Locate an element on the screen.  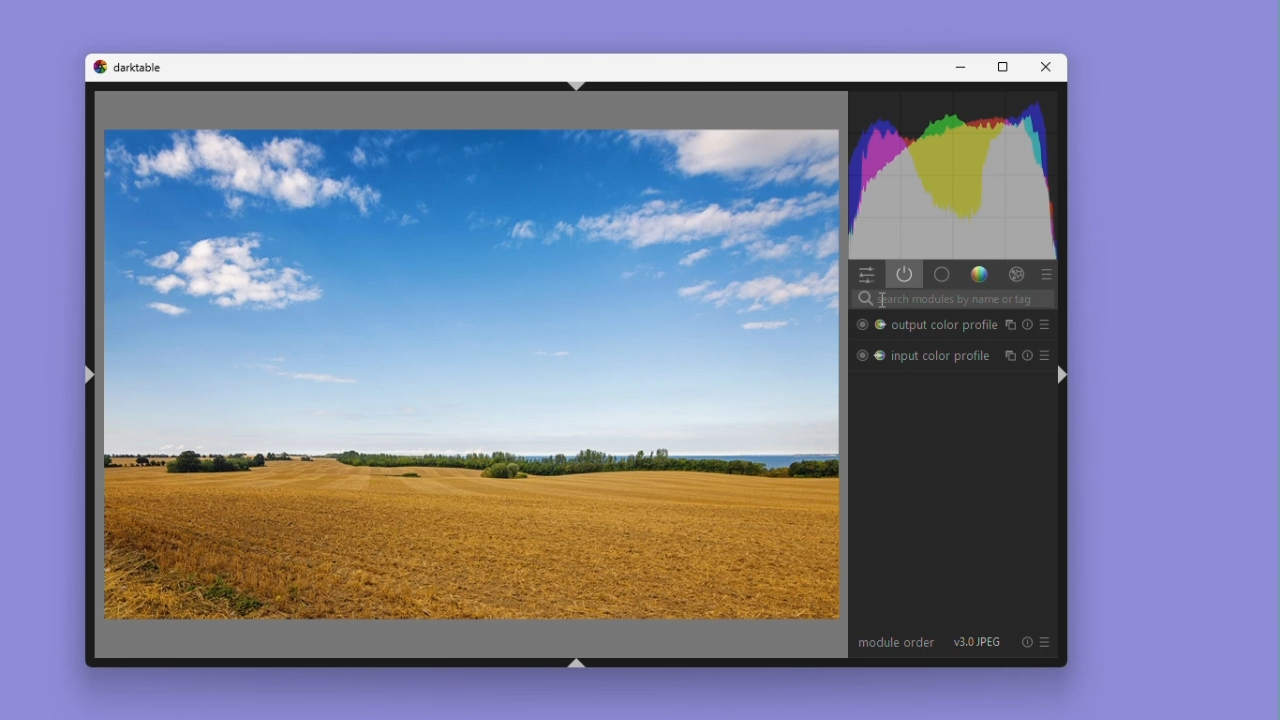
reset is located at coordinates (1028, 354).